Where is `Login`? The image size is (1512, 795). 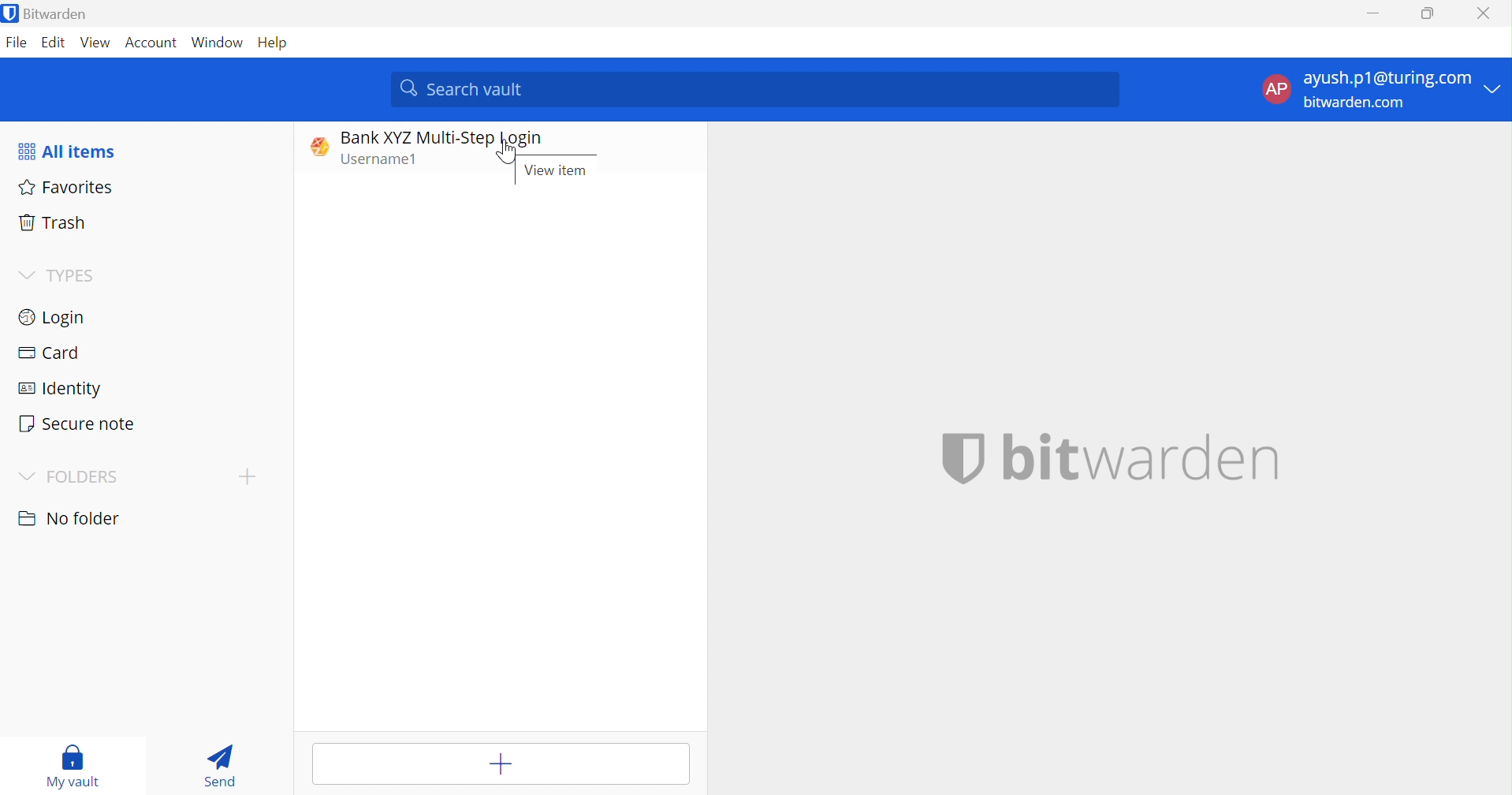
Login is located at coordinates (50, 317).